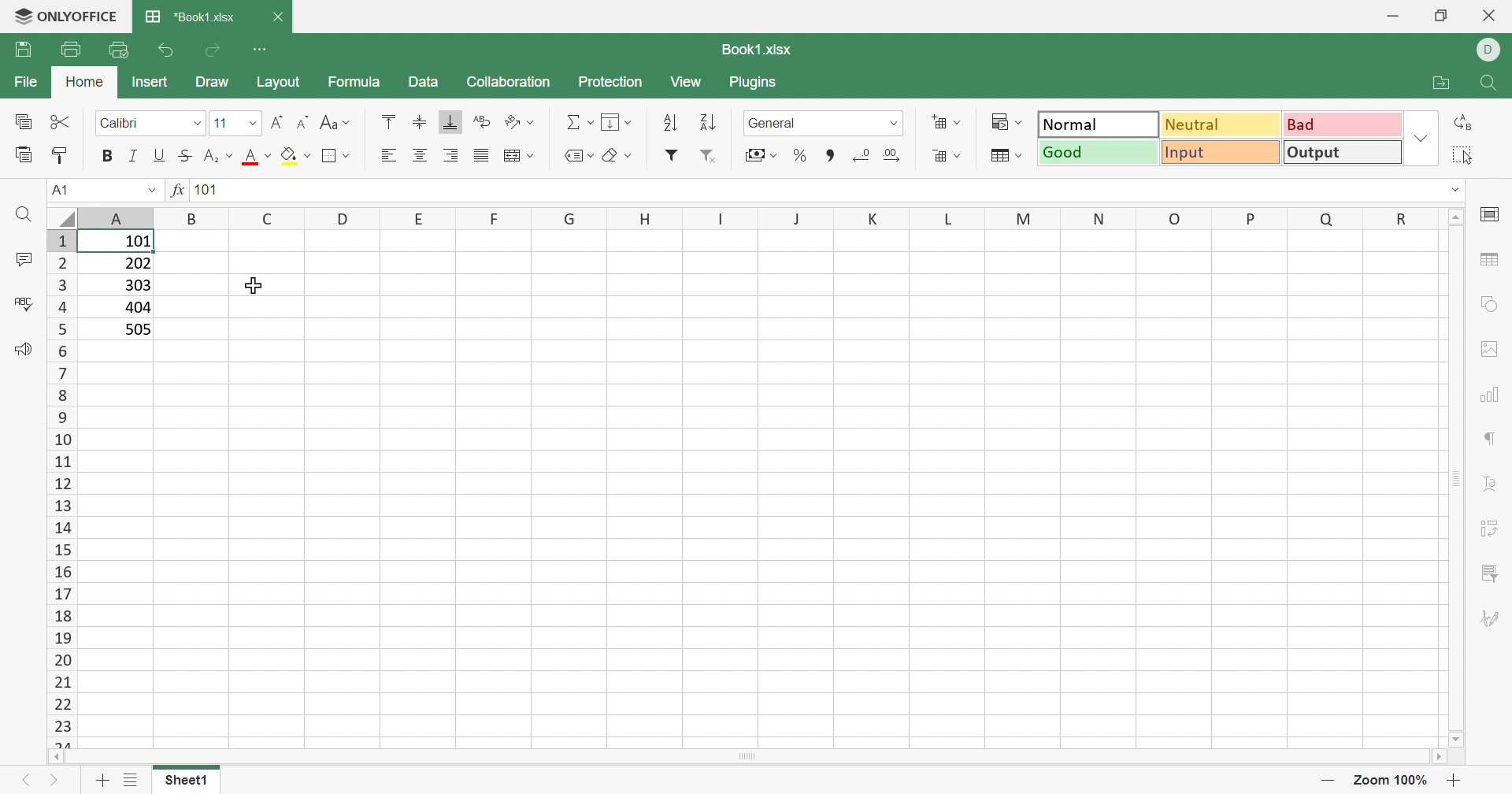 Image resolution: width=1512 pixels, height=794 pixels. What do you see at coordinates (21, 155) in the screenshot?
I see `Paste` at bounding box center [21, 155].